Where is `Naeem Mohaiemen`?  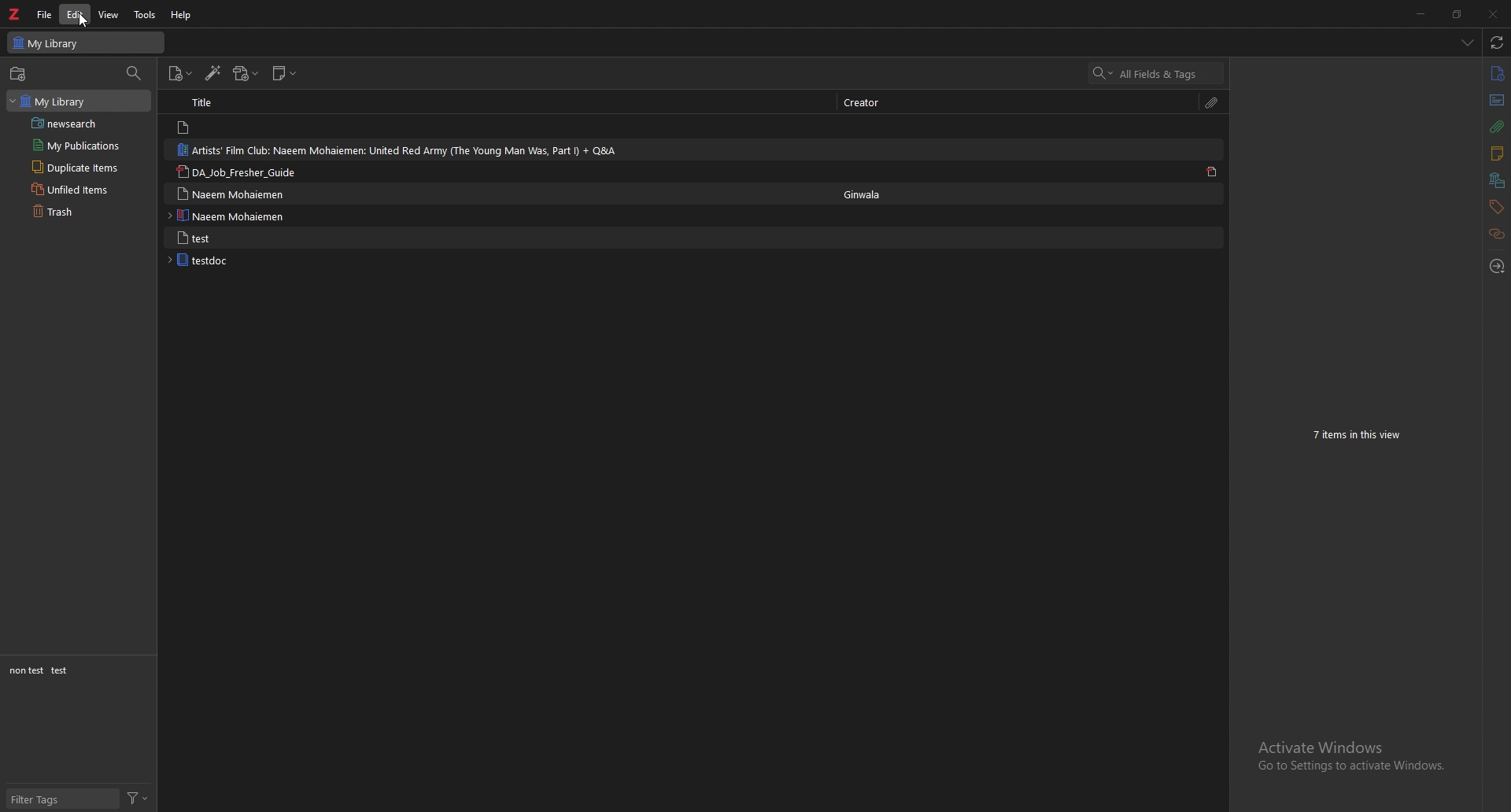 Naeem Mohaiemen is located at coordinates (238, 216).